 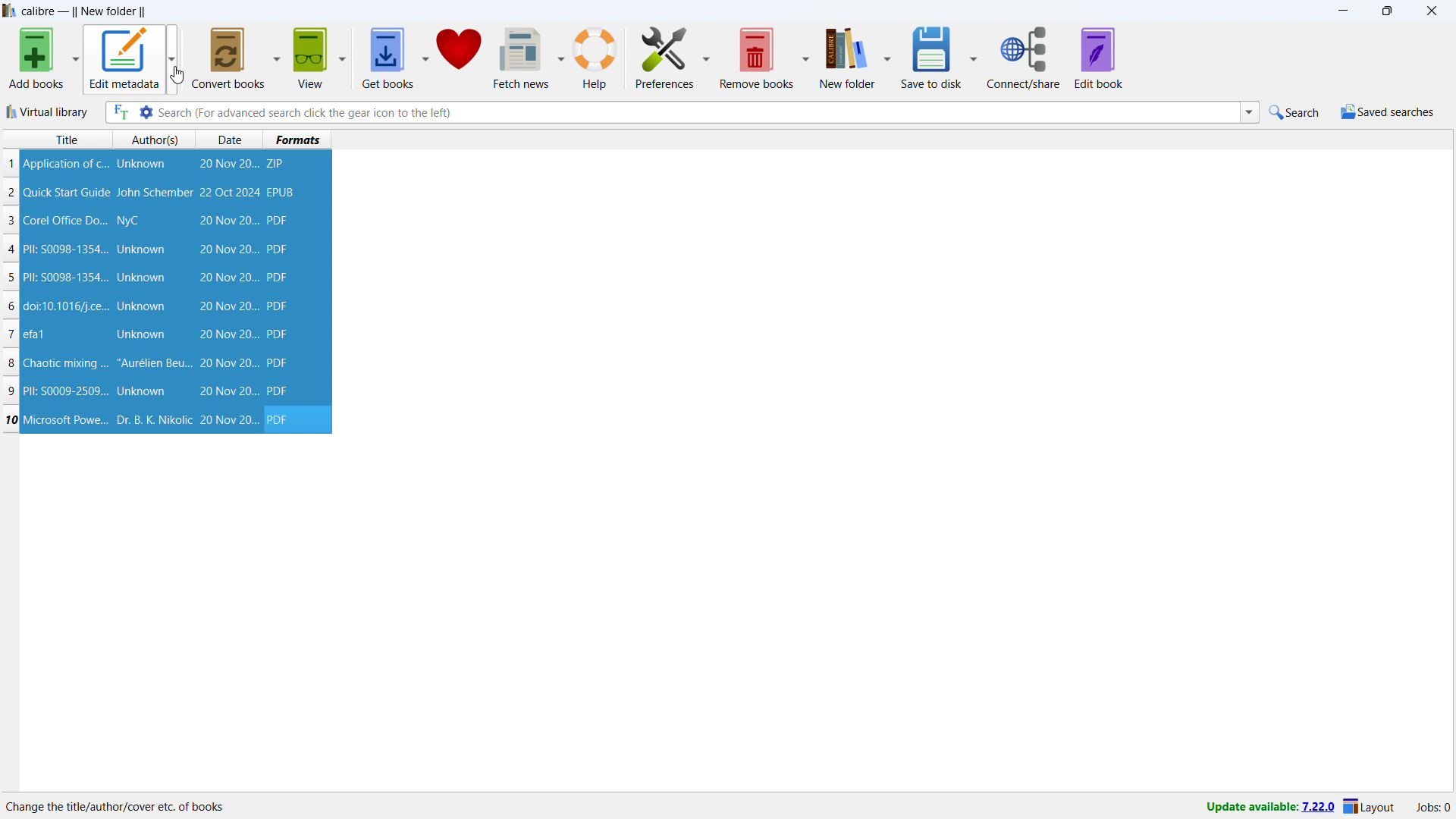 What do you see at coordinates (1434, 808) in the screenshot?
I see `active jobs` at bounding box center [1434, 808].